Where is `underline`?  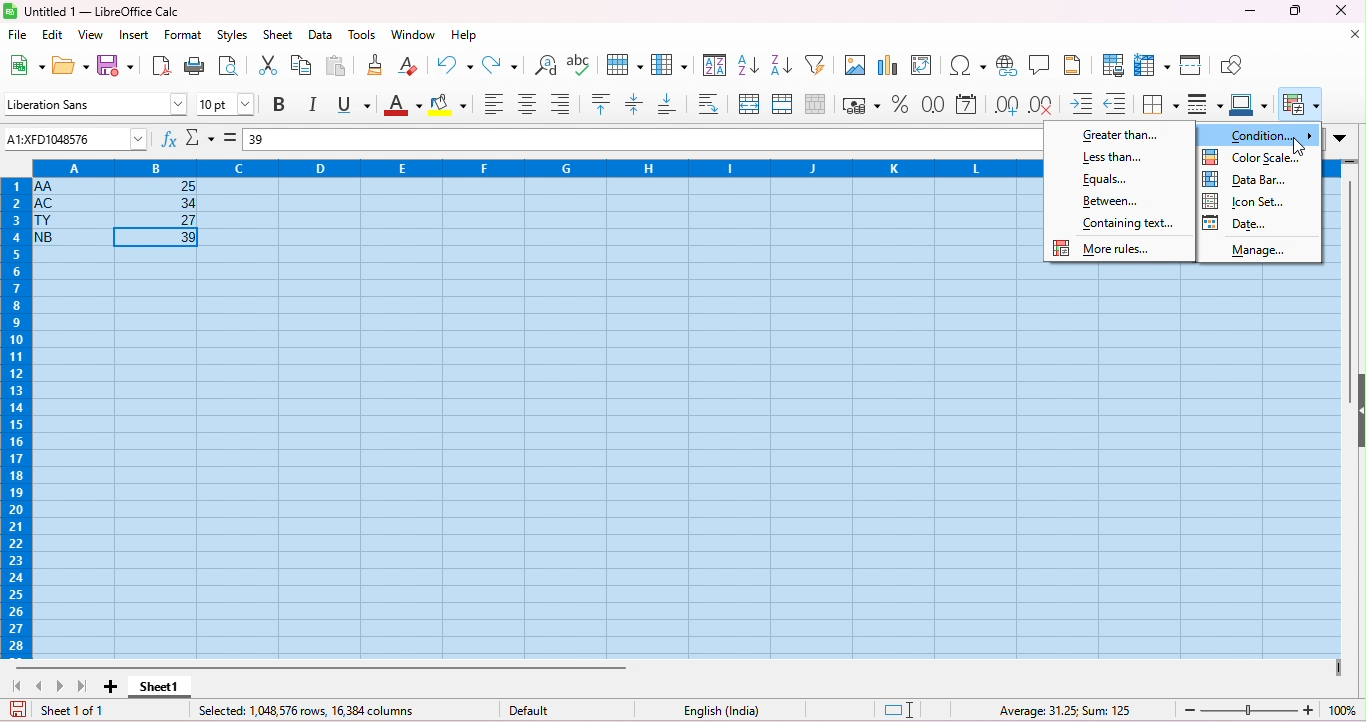
underline is located at coordinates (353, 105).